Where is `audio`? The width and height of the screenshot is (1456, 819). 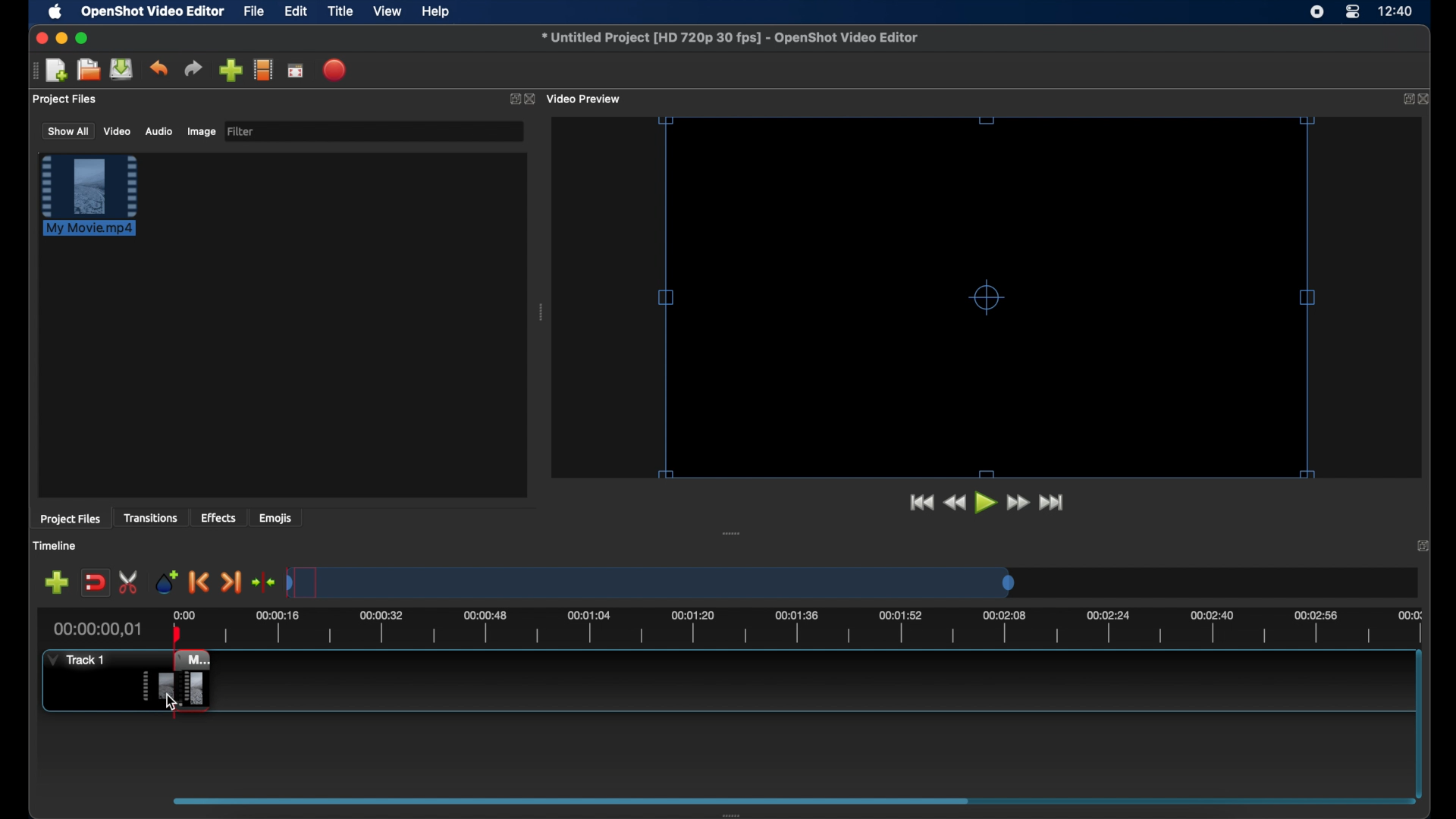
audio is located at coordinates (158, 132).